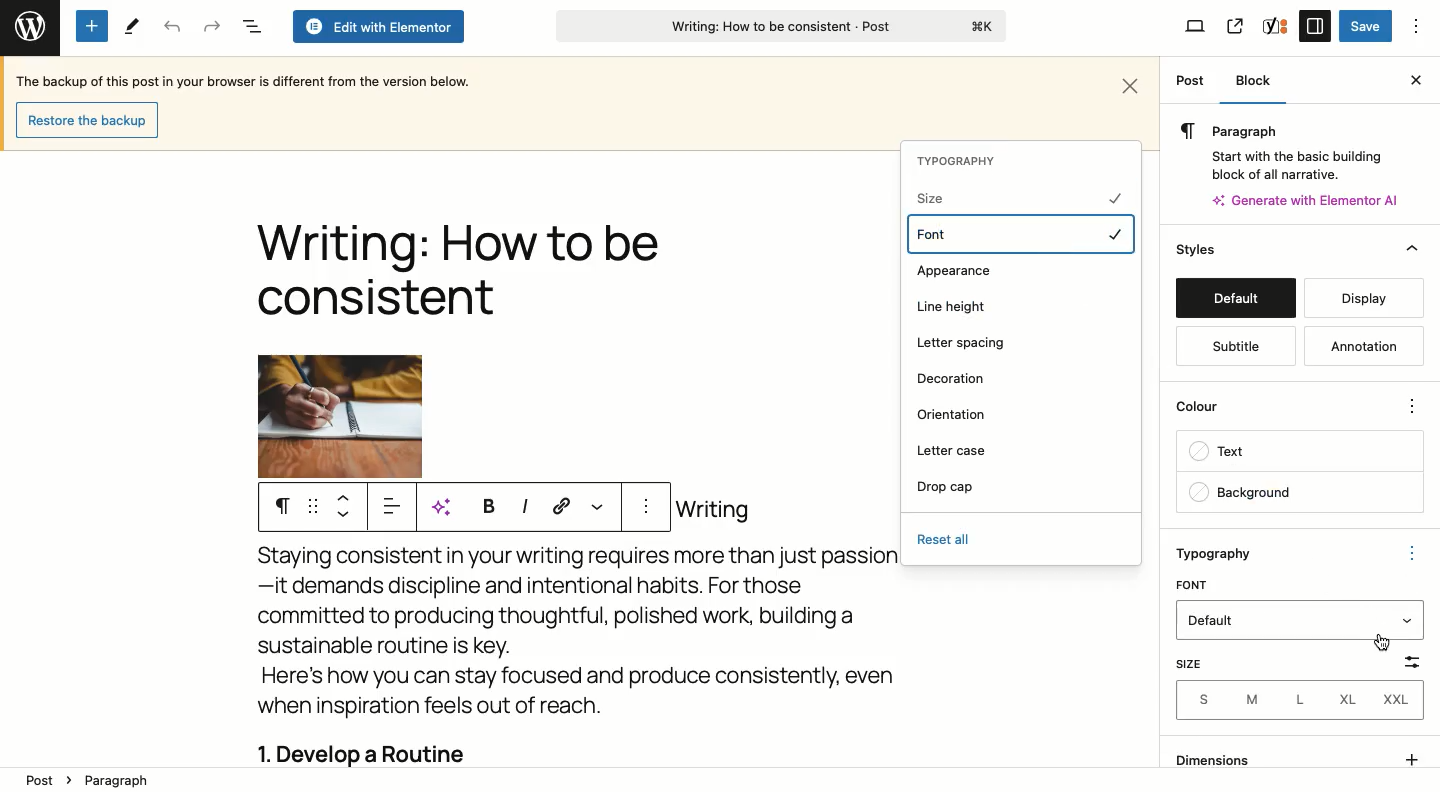  I want to click on Background, so click(1298, 492).